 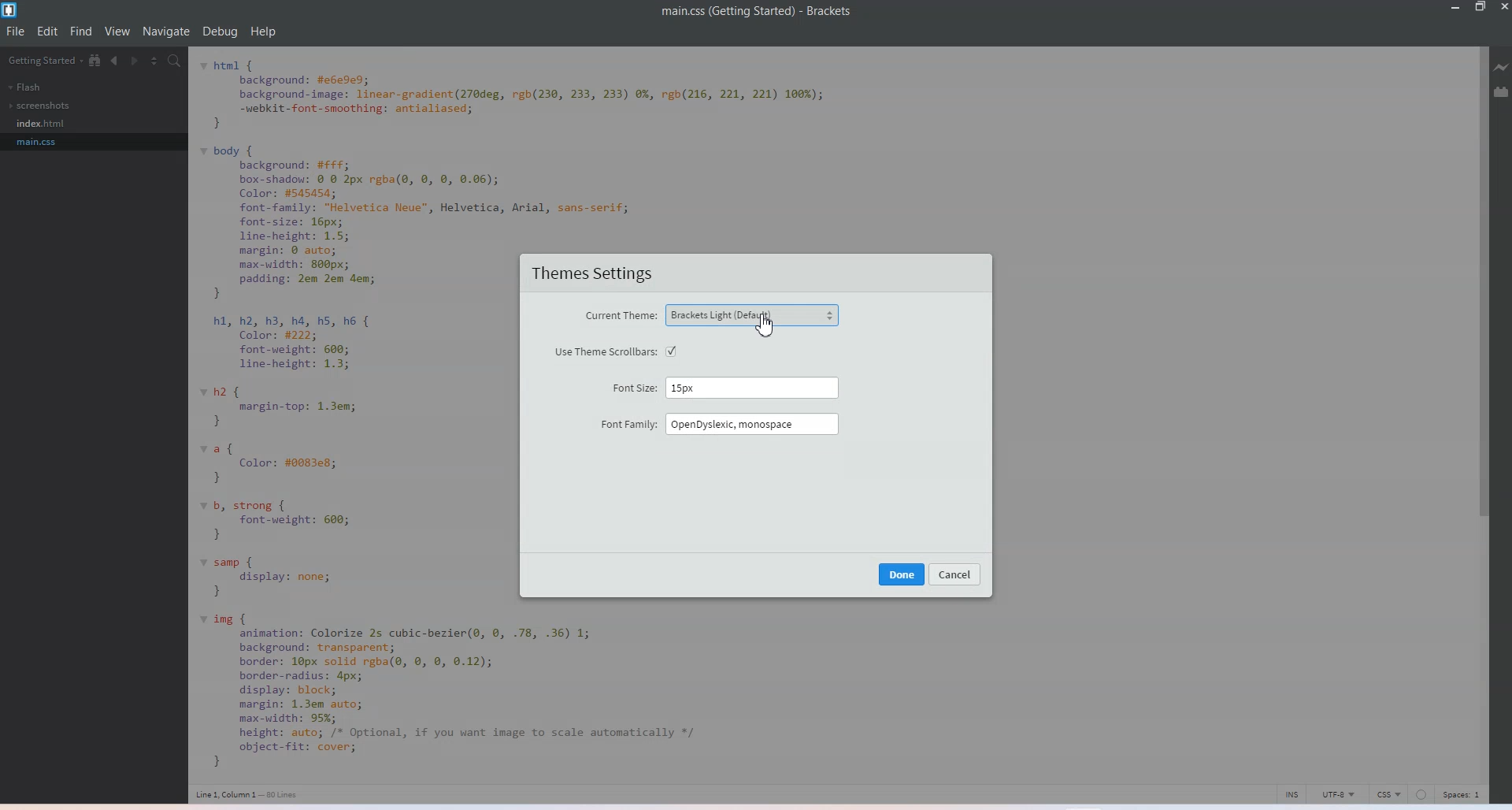 What do you see at coordinates (1503, 91) in the screenshot?
I see `Extension manager` at bounding box center [1503, 91].